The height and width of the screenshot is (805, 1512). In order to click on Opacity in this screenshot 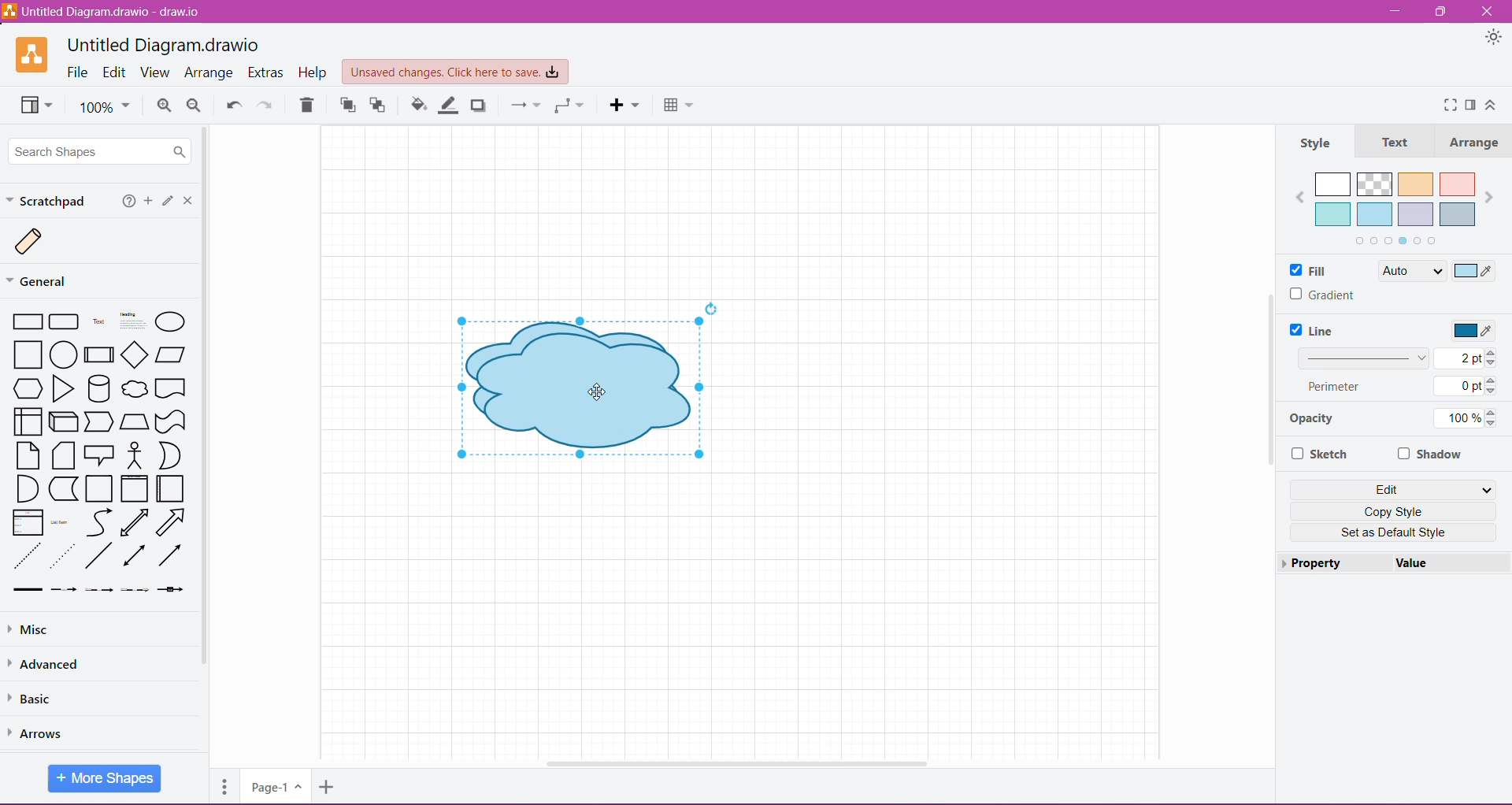, I will do `click(1310, 421)`.